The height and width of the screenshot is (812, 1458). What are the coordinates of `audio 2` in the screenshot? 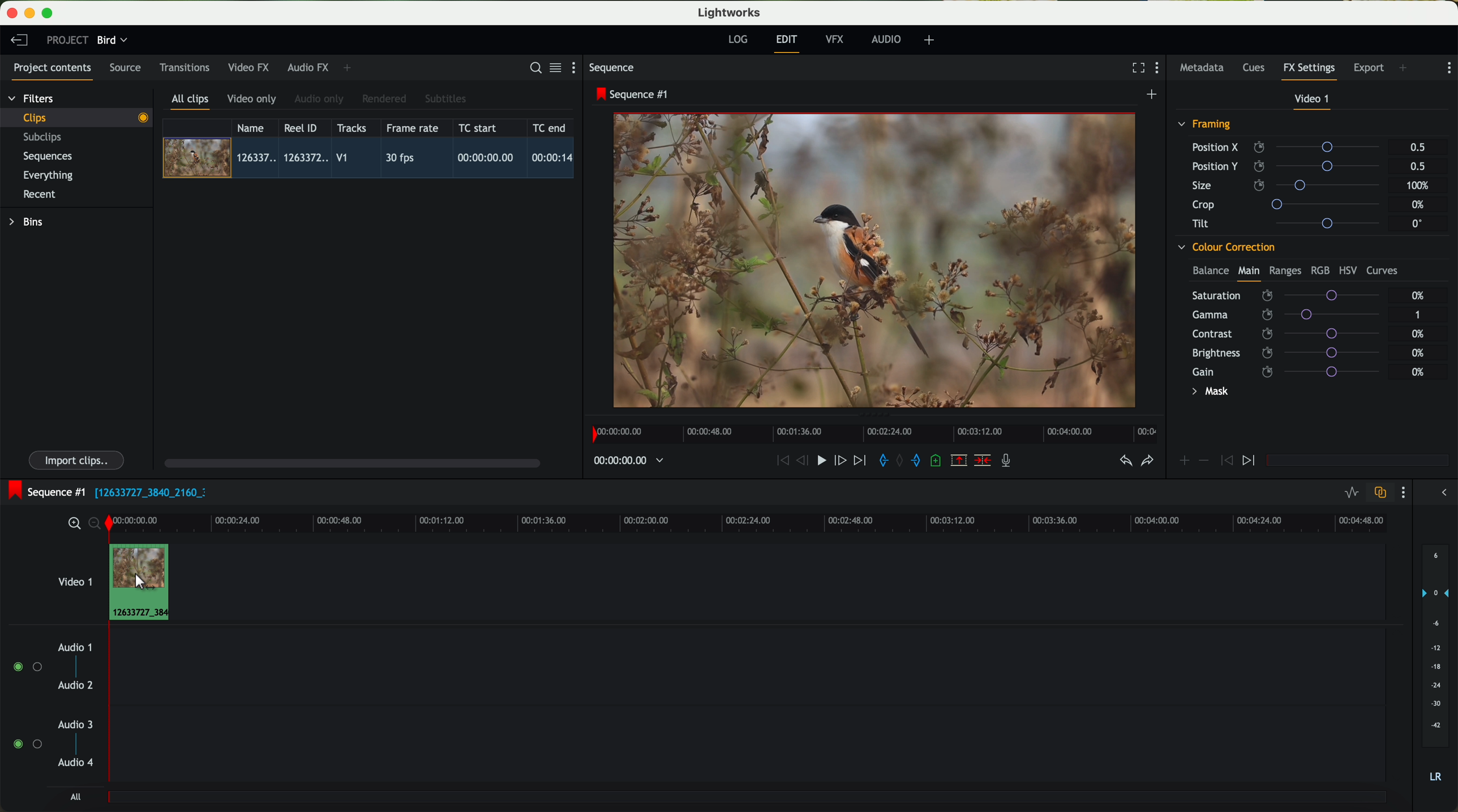 It's located at (76, 686).